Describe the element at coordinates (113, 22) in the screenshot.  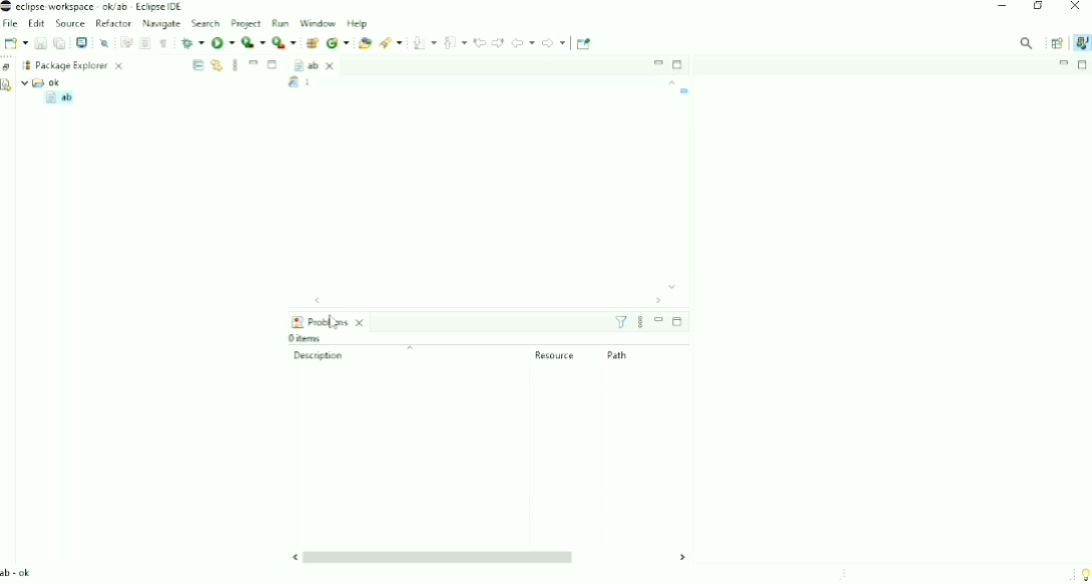
I see `Refactor` at that location.